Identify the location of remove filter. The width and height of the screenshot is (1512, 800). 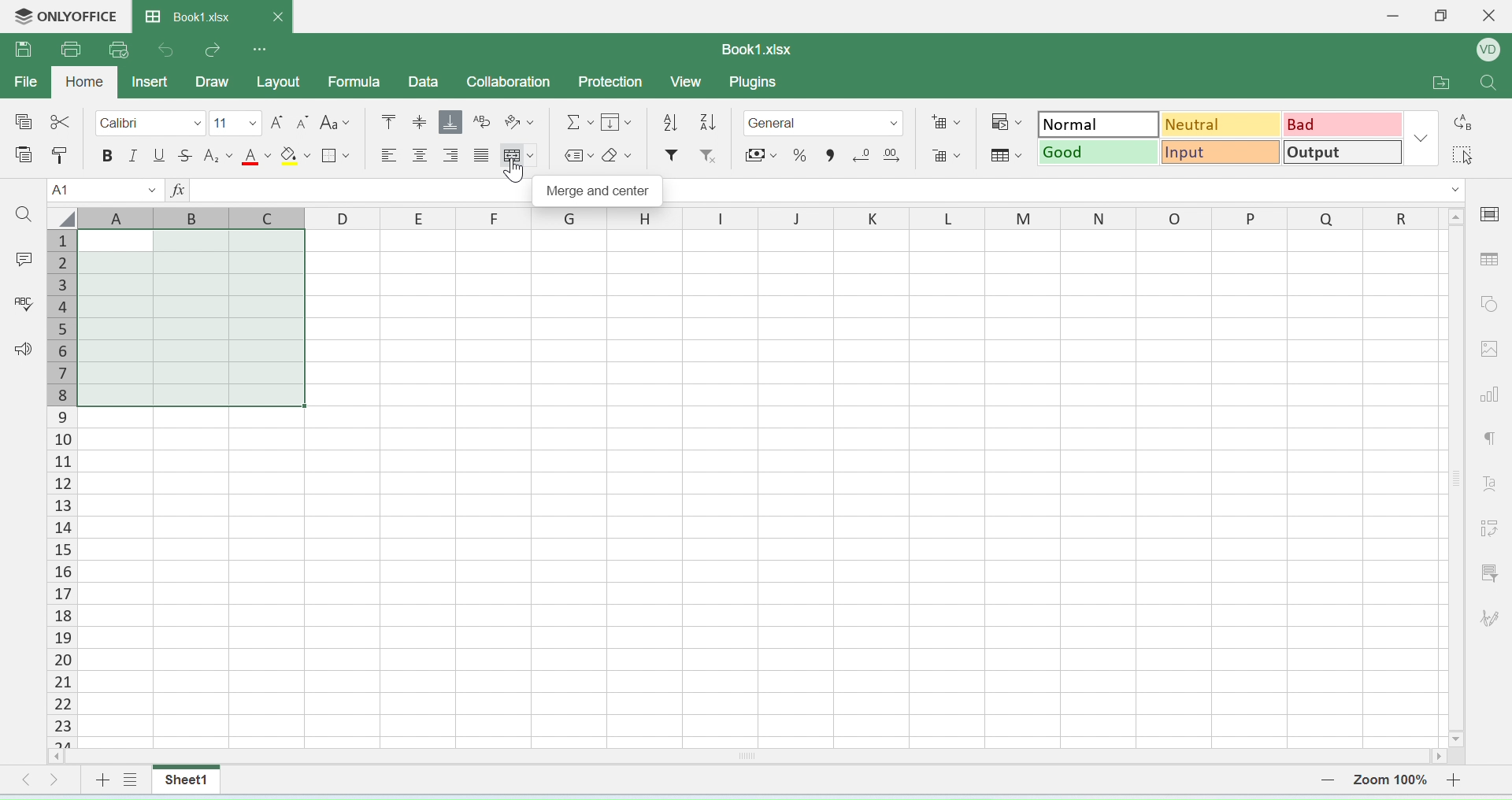
(710, 154).